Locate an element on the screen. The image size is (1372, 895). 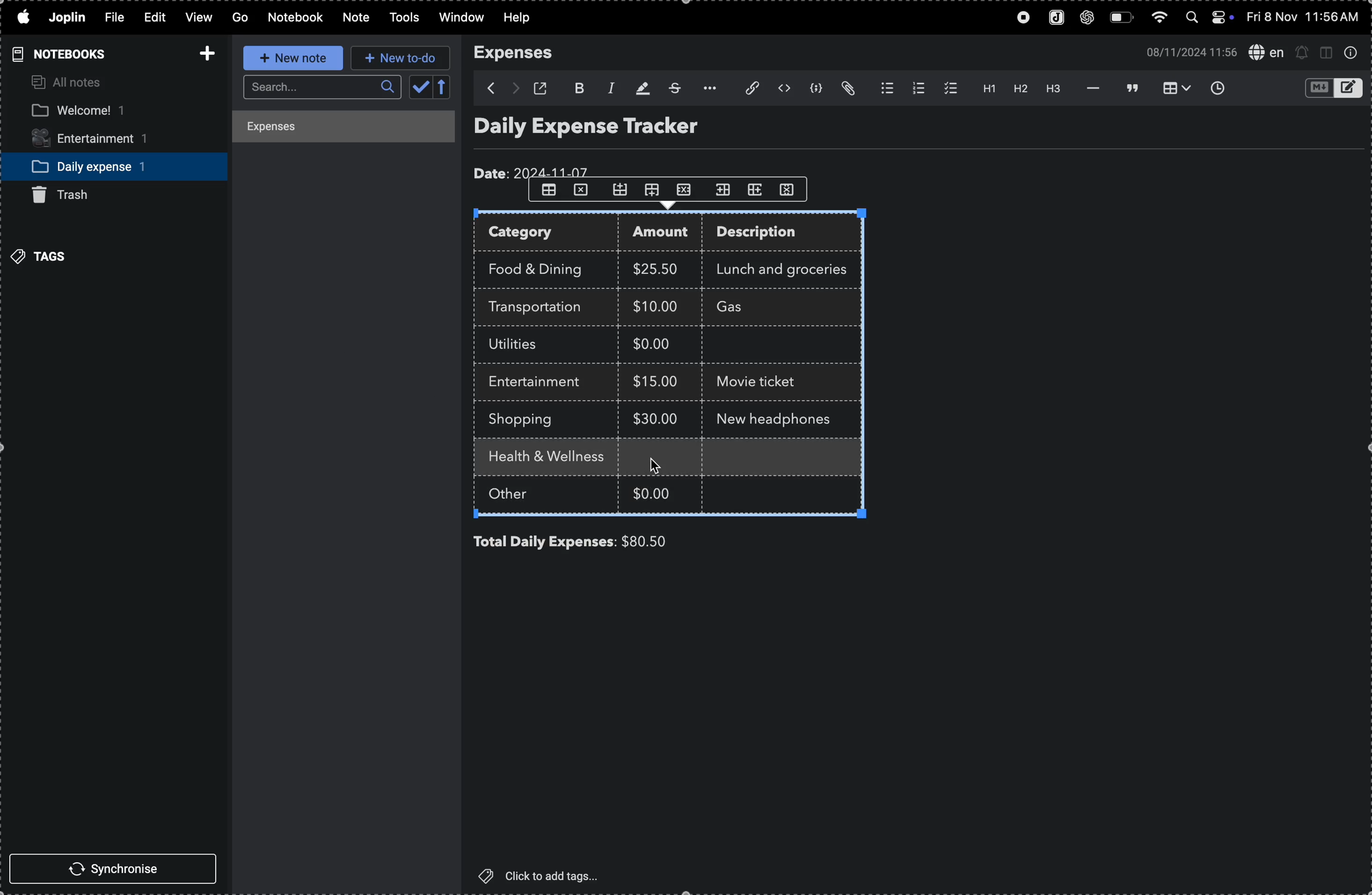
strike through is located at coordinates (673, 88).